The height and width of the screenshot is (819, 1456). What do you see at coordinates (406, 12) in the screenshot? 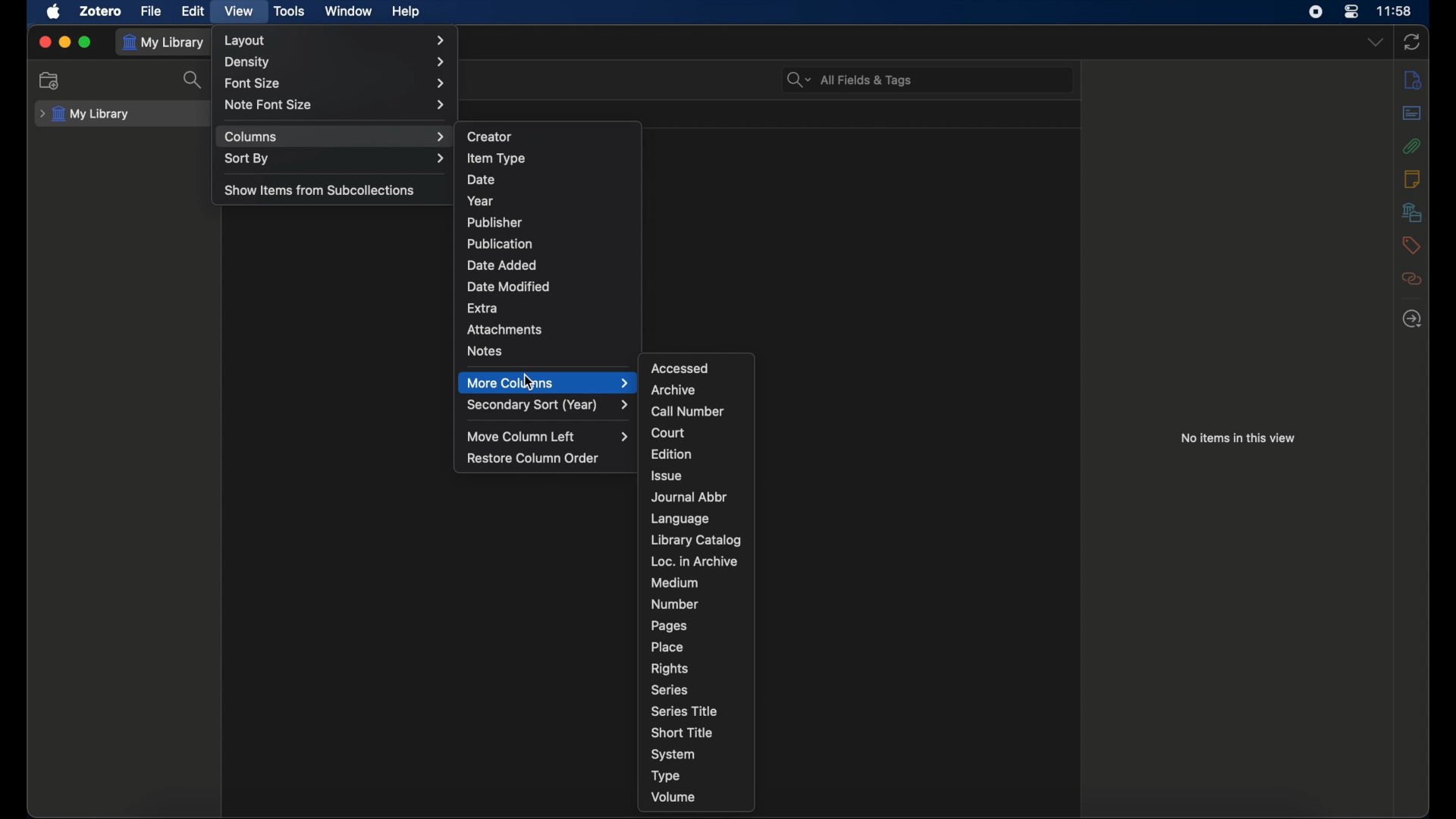
I see `help` at bounding box center [406, 12].